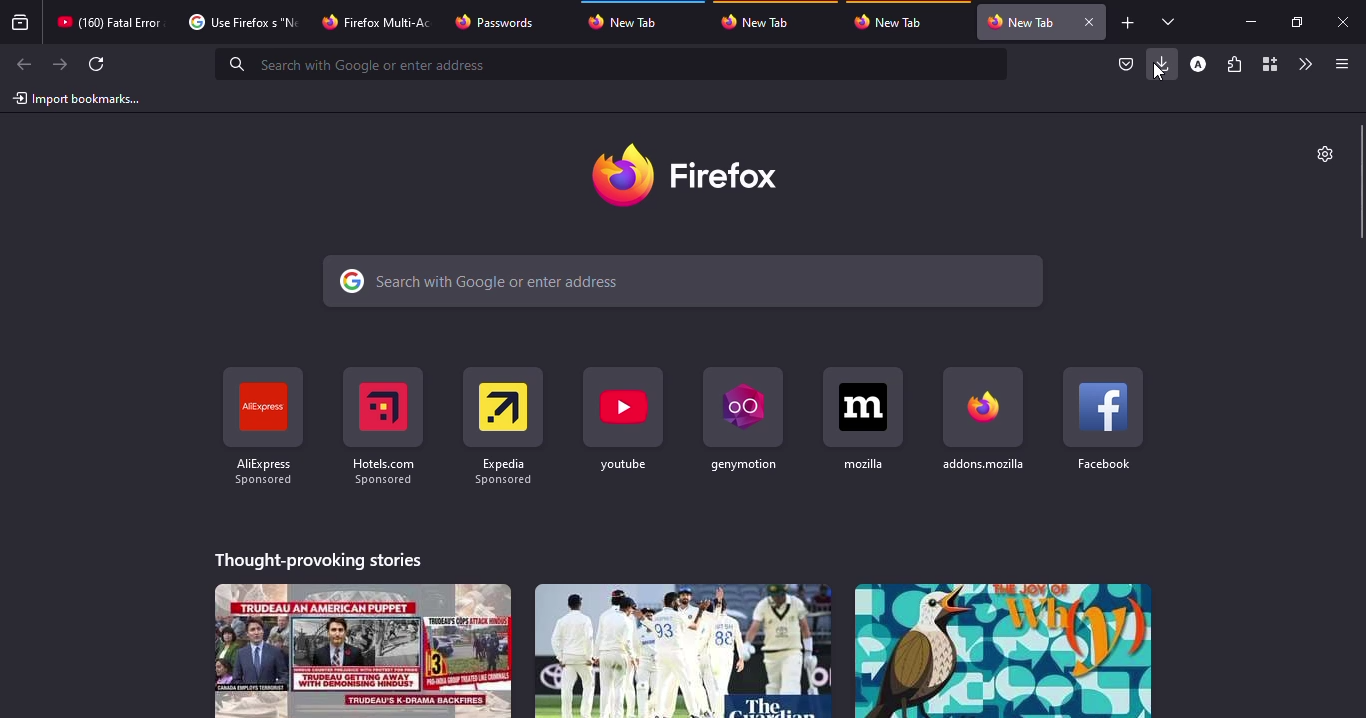 The image size is (1366, 718). I want to click on shortcut, so click(625, 420).